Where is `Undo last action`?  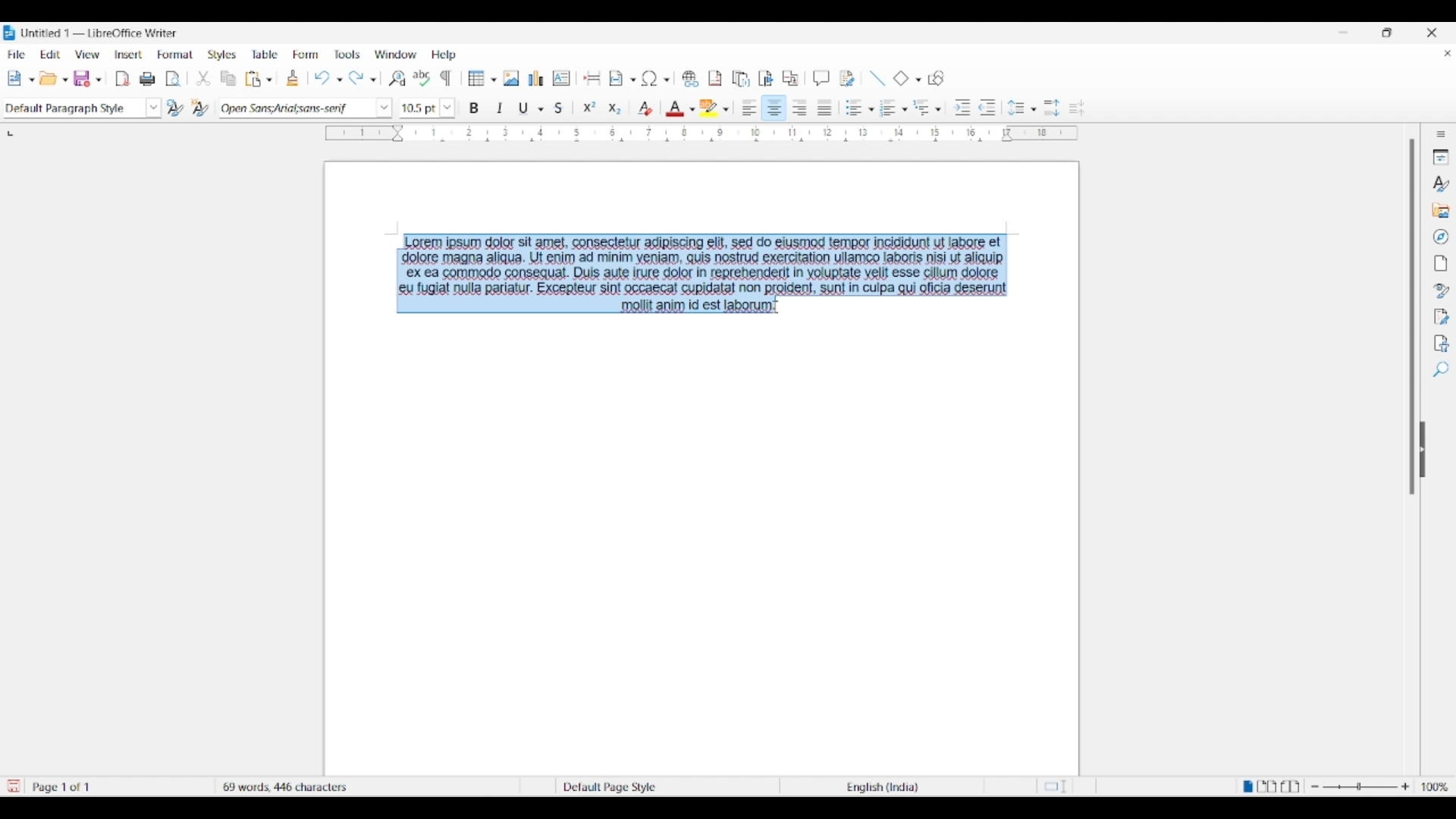 Undo last action is located at coordinates (322, 78).